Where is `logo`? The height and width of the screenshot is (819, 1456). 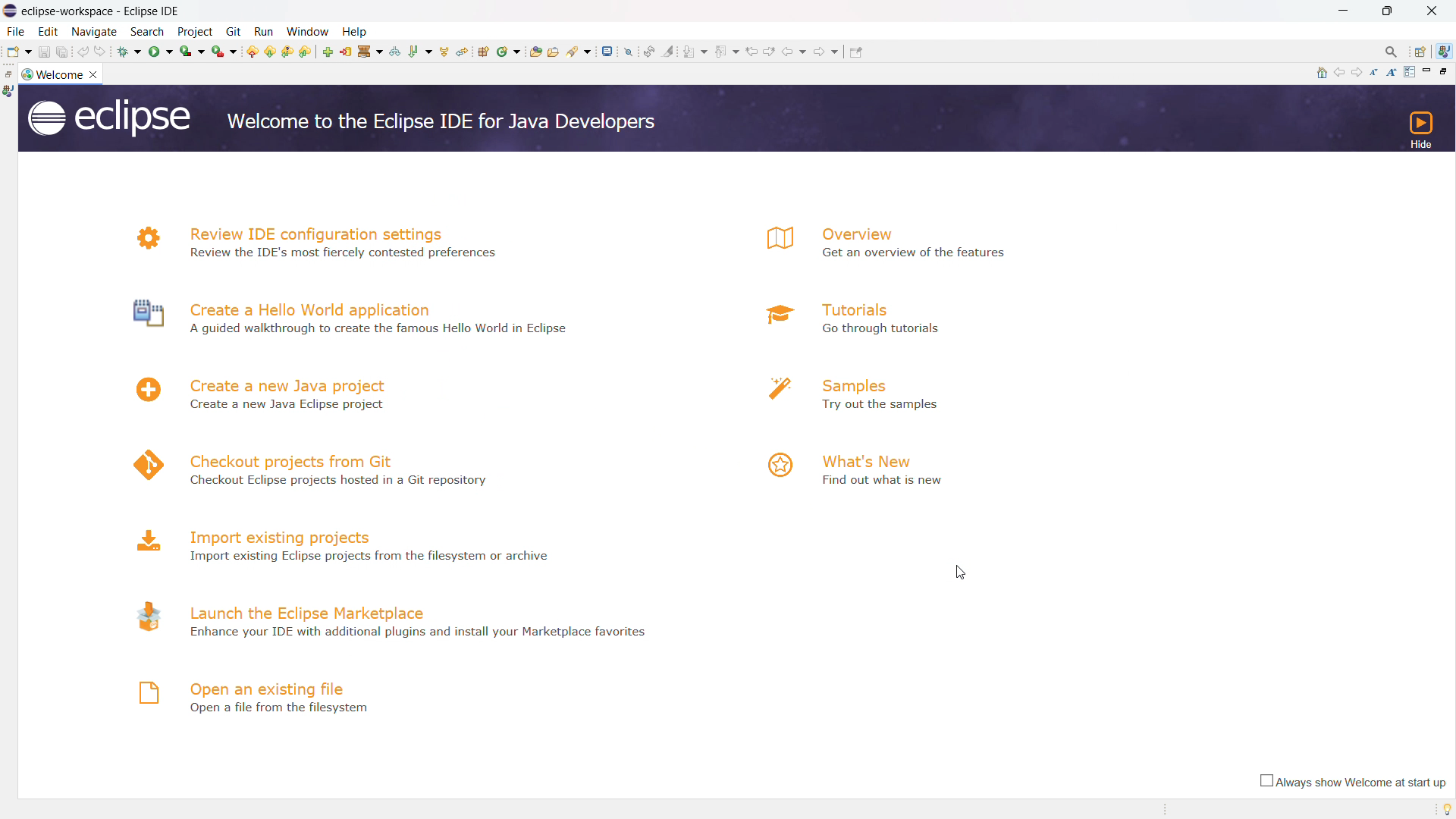 logo is located at coordinates (26, 74).